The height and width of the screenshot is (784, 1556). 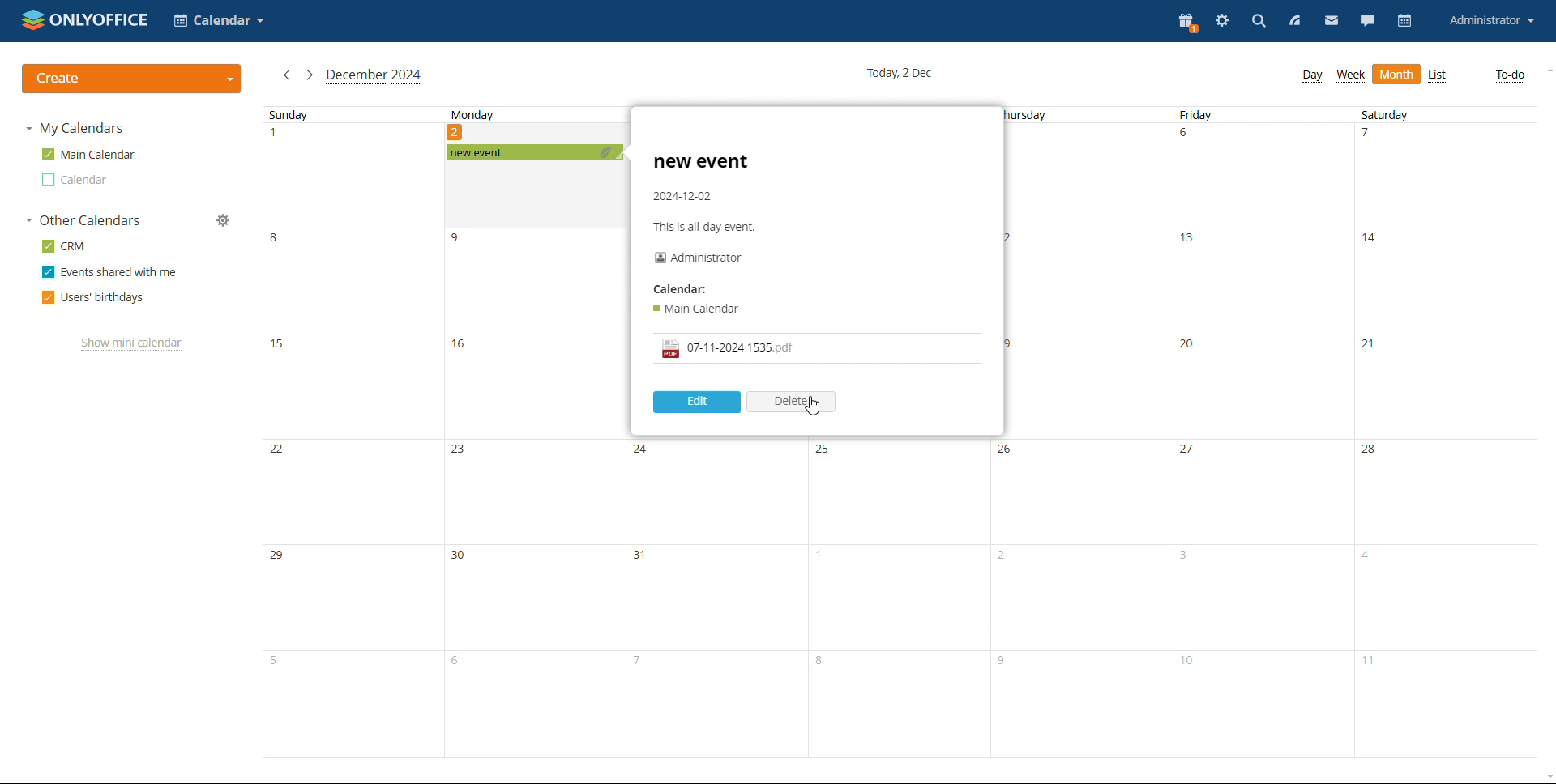 What do you see at coordinates (457, 131) in the screenshot?
I see `2` at bounding box center [457, 131].